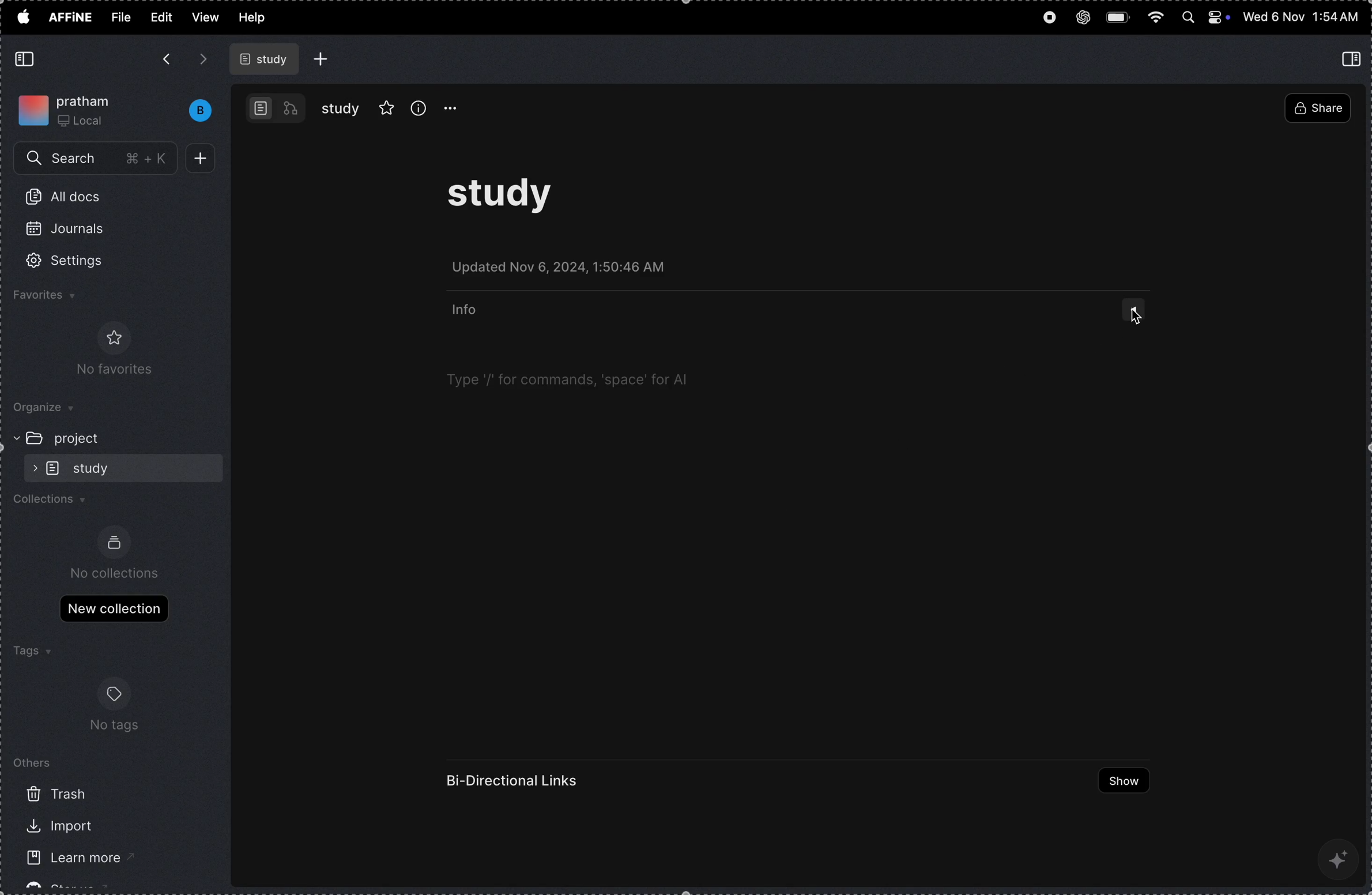 This screenshot has width=1372, height=895. I want to click on chat gpt, so click(1083, 14).